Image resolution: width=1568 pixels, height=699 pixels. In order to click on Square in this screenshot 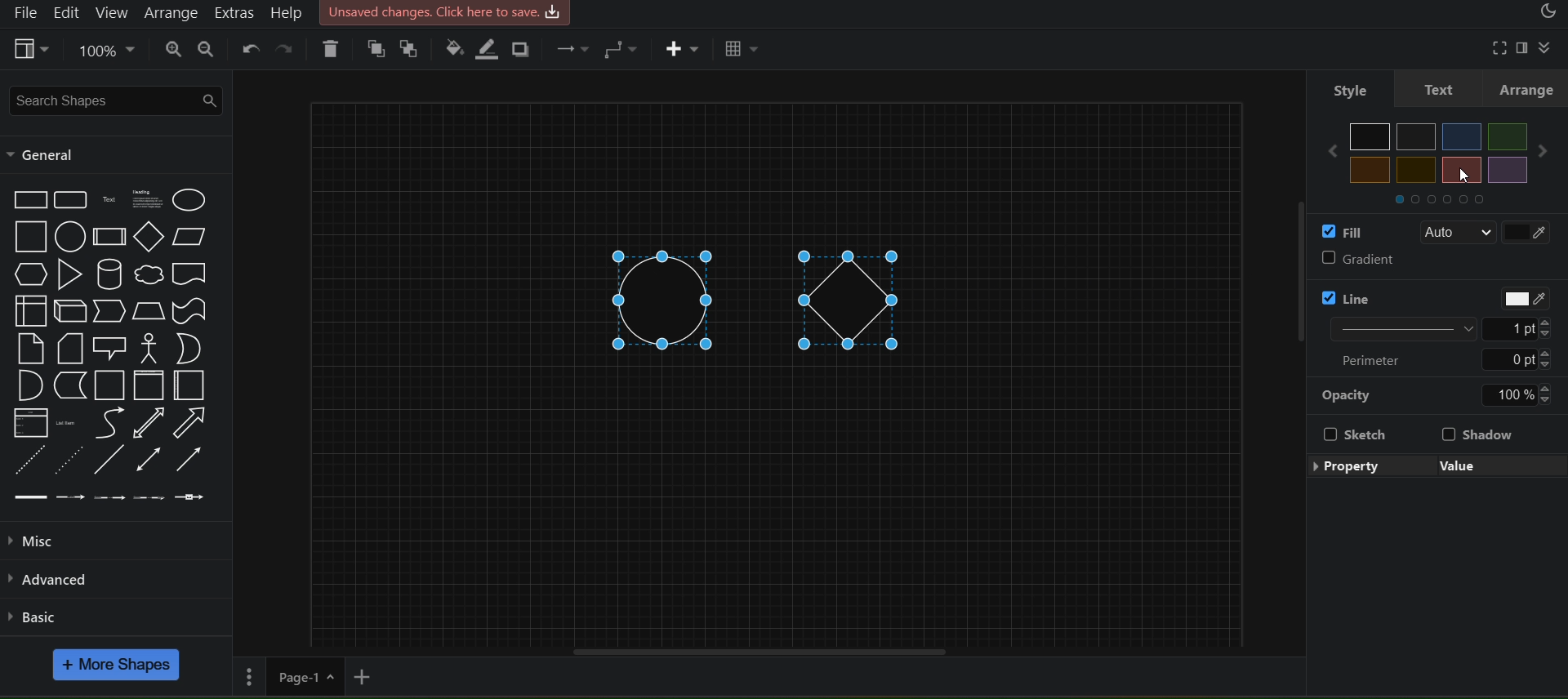, I will do `click(30, 238)`.